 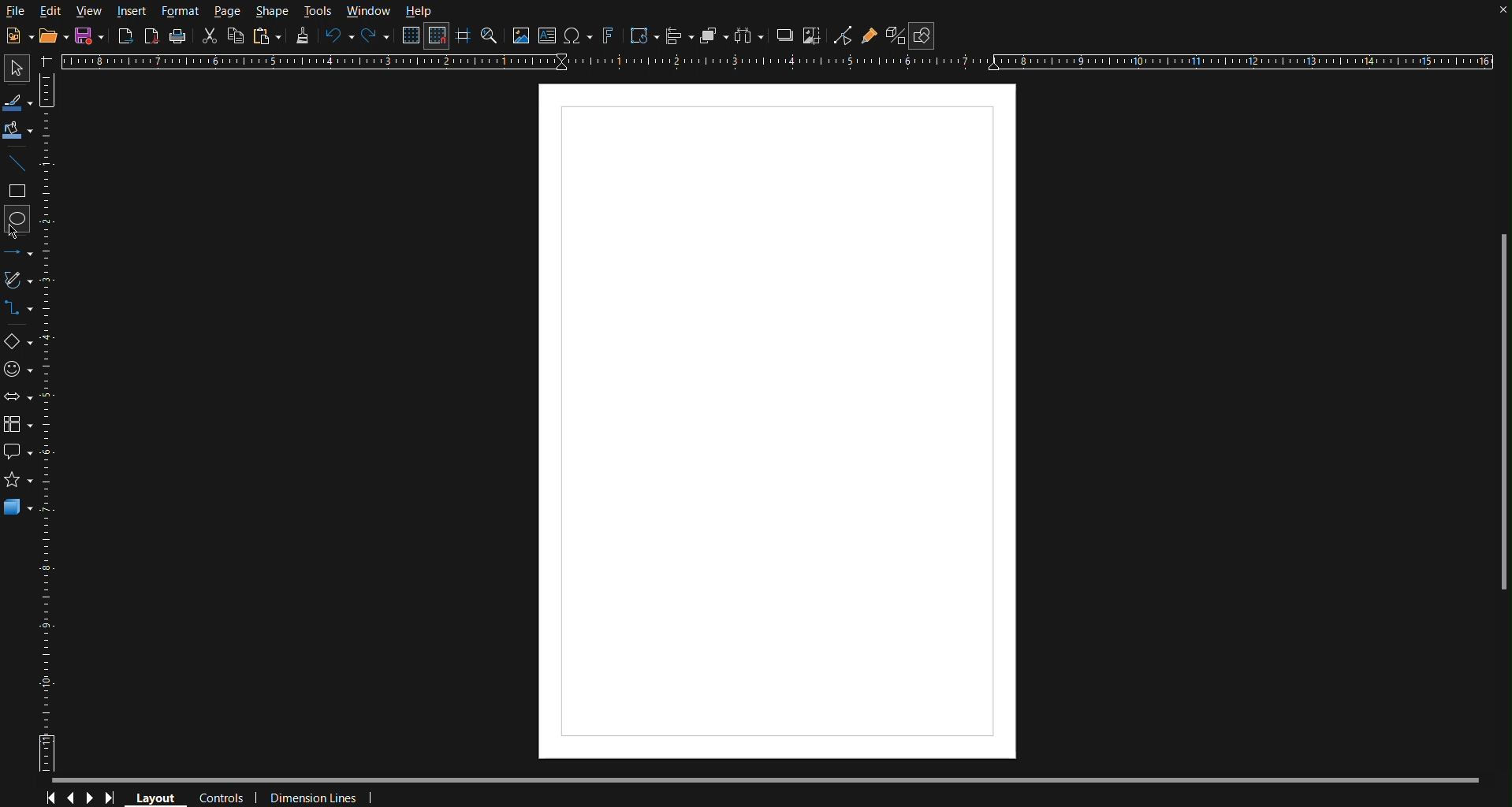 I want to click on Distribute objects, so click(x=754, y=37).